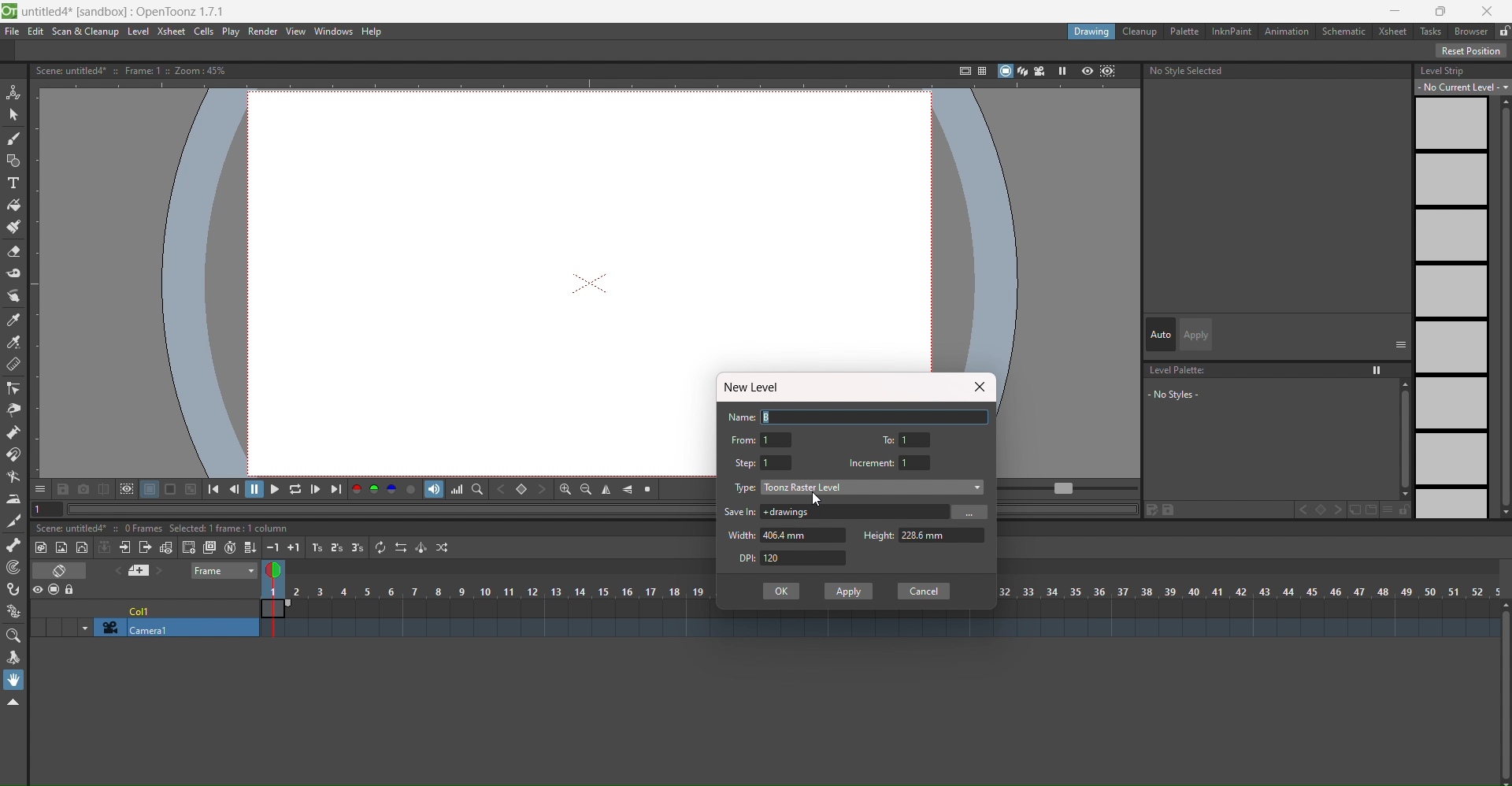  Describe the element at coordinates (871, 463) in the screenshot. I see `increment` at that location.